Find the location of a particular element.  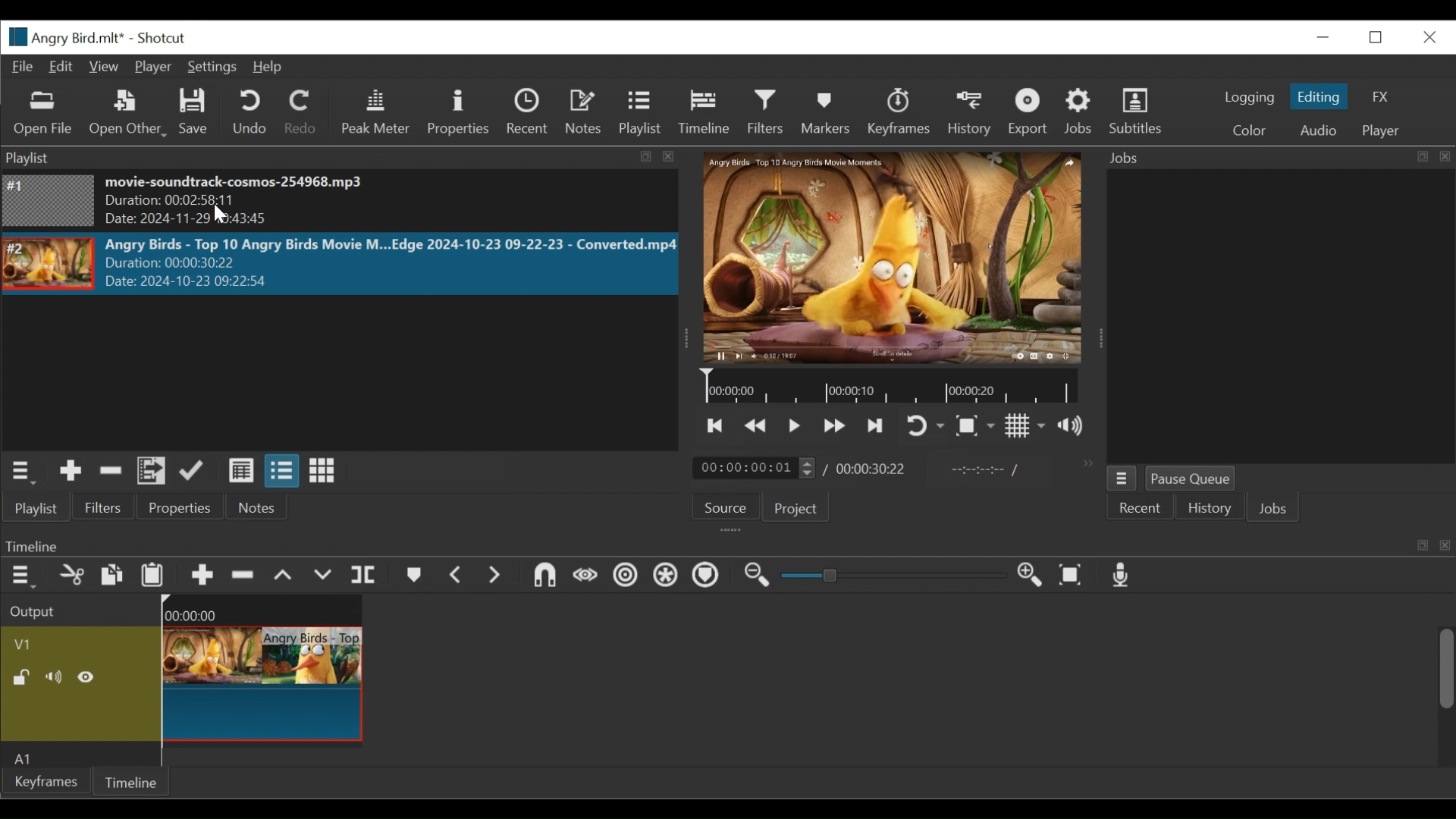

Paste is located at coordinates (153, 575).